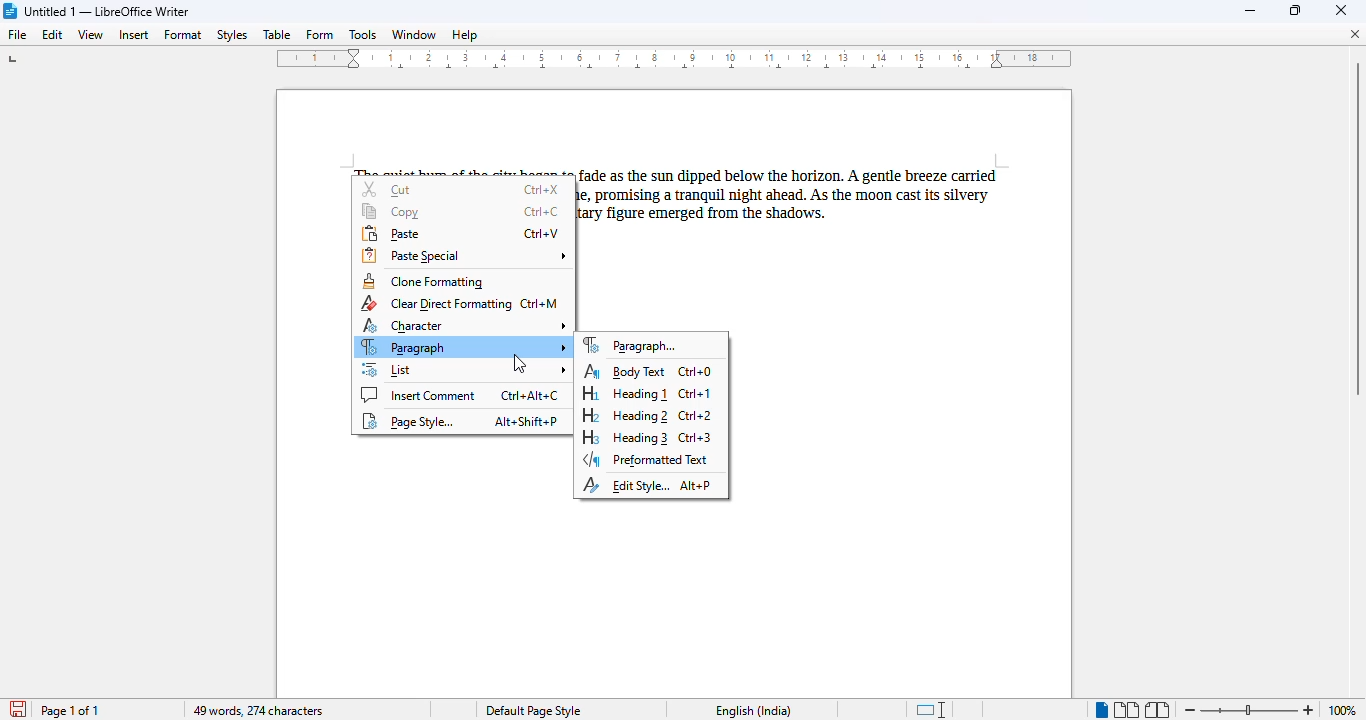 The height and width of the screenshot is (720, 1366). I want to click on view, so click(90, 35).